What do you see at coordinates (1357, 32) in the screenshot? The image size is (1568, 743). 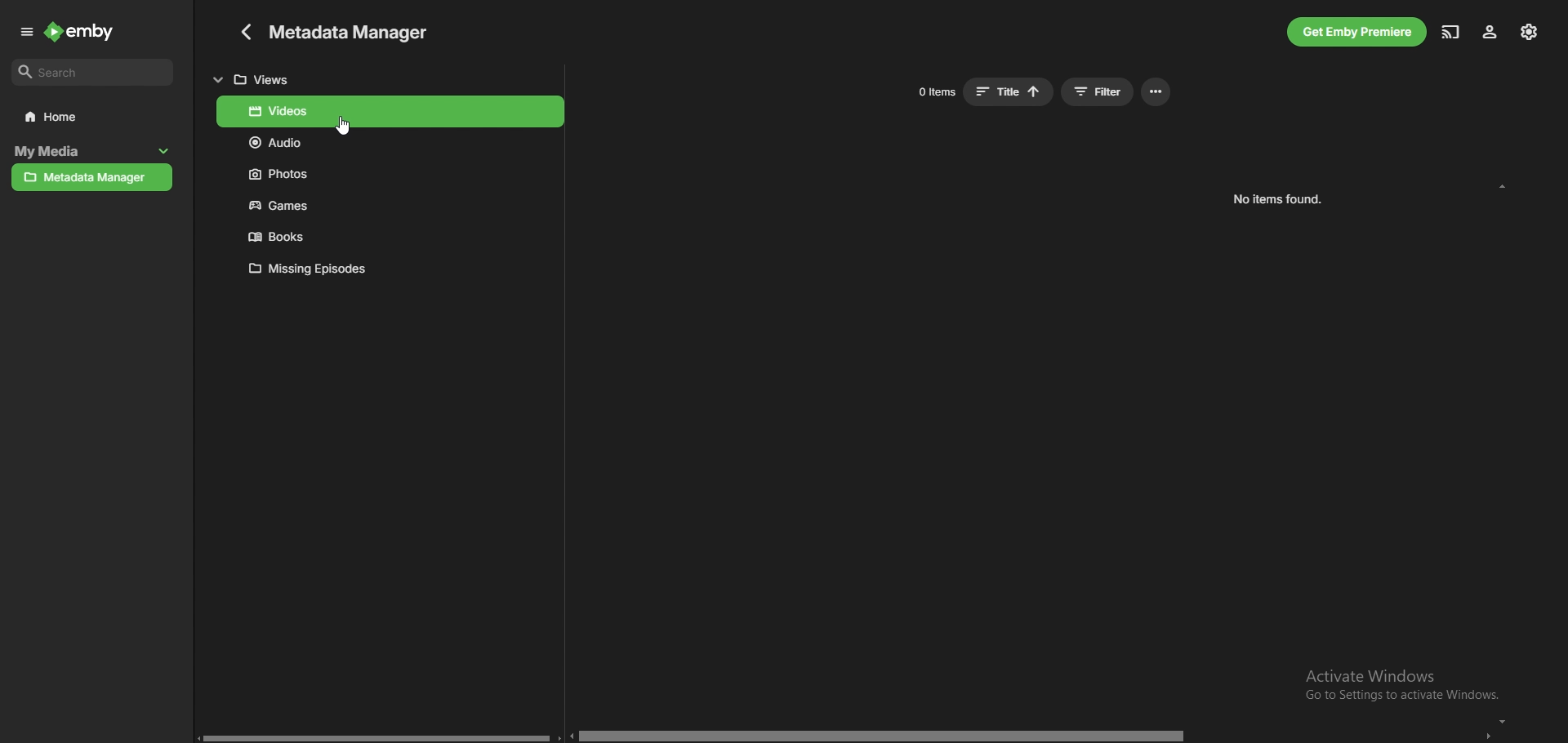 I see `get premiere` at bounding box center [1357, 32].